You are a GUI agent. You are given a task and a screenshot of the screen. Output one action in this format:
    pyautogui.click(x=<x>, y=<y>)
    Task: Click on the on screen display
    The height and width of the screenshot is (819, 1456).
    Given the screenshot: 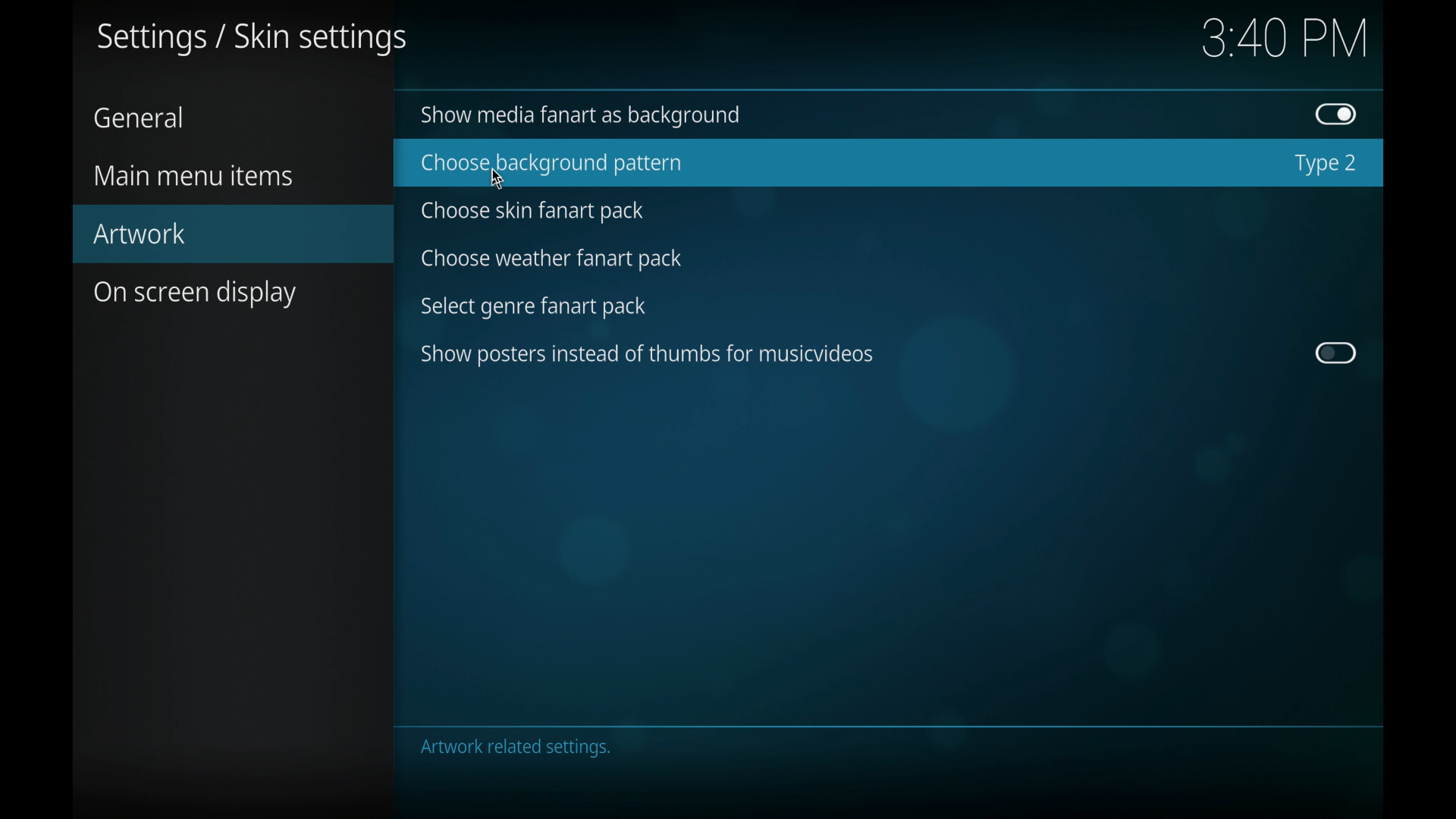 What is the action you would take?
    pyautogui.click(x=196, y=294)
    